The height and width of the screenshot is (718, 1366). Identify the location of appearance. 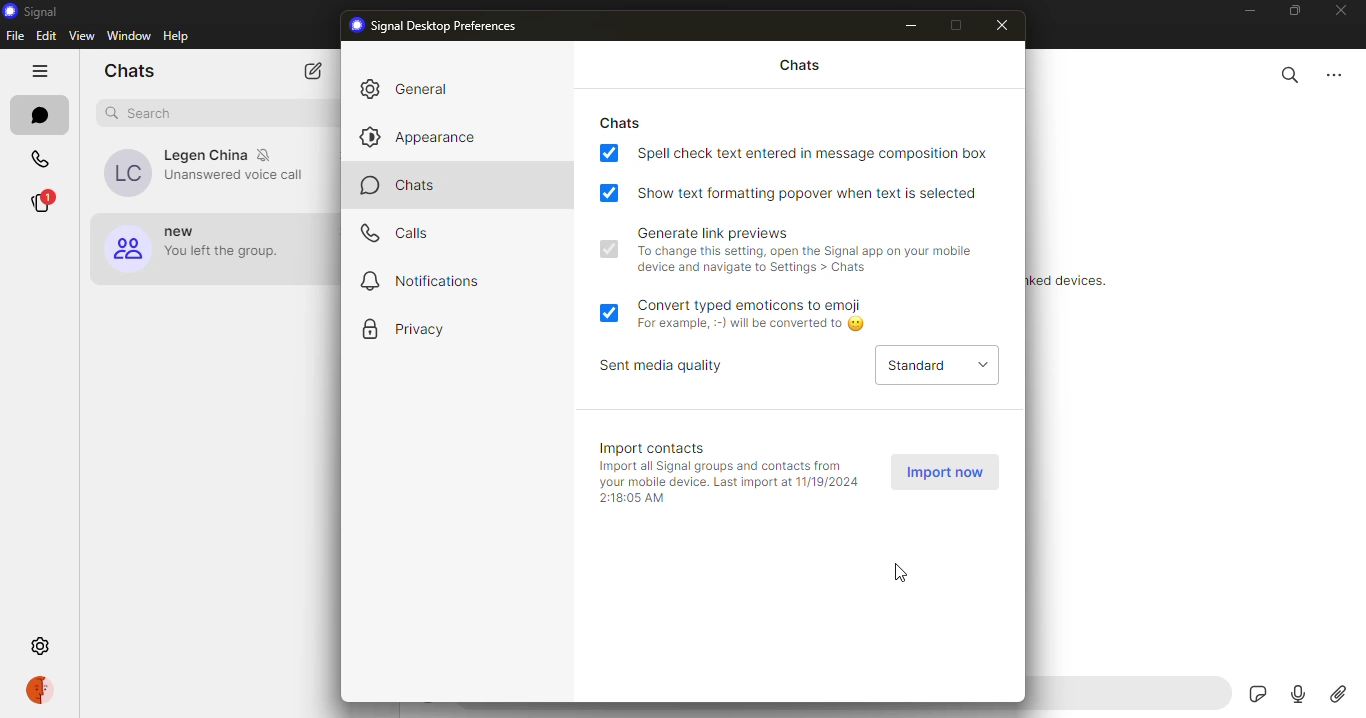
(423, 135).